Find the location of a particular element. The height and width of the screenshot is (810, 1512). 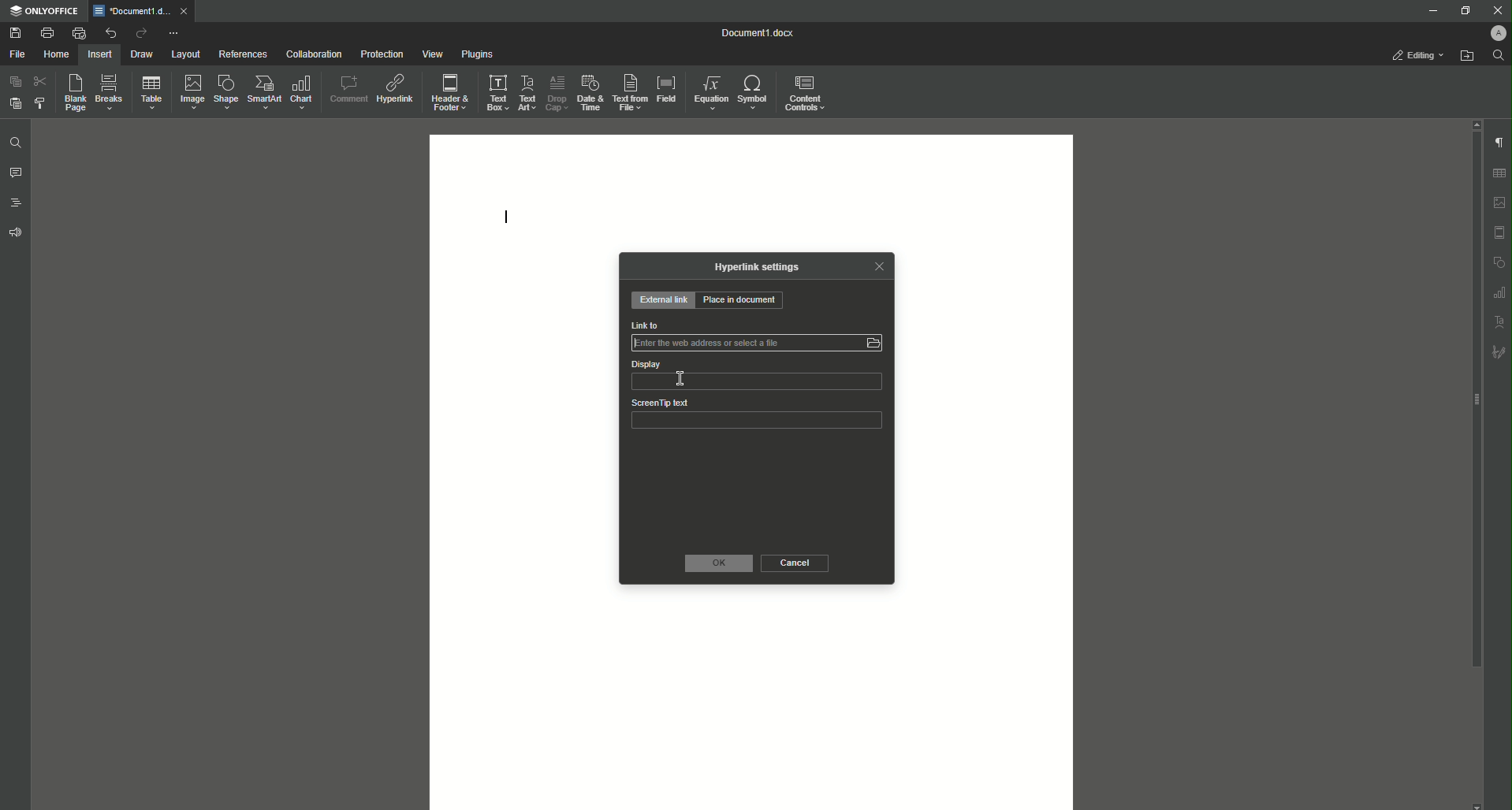

References is located at coordinates (243, 54).